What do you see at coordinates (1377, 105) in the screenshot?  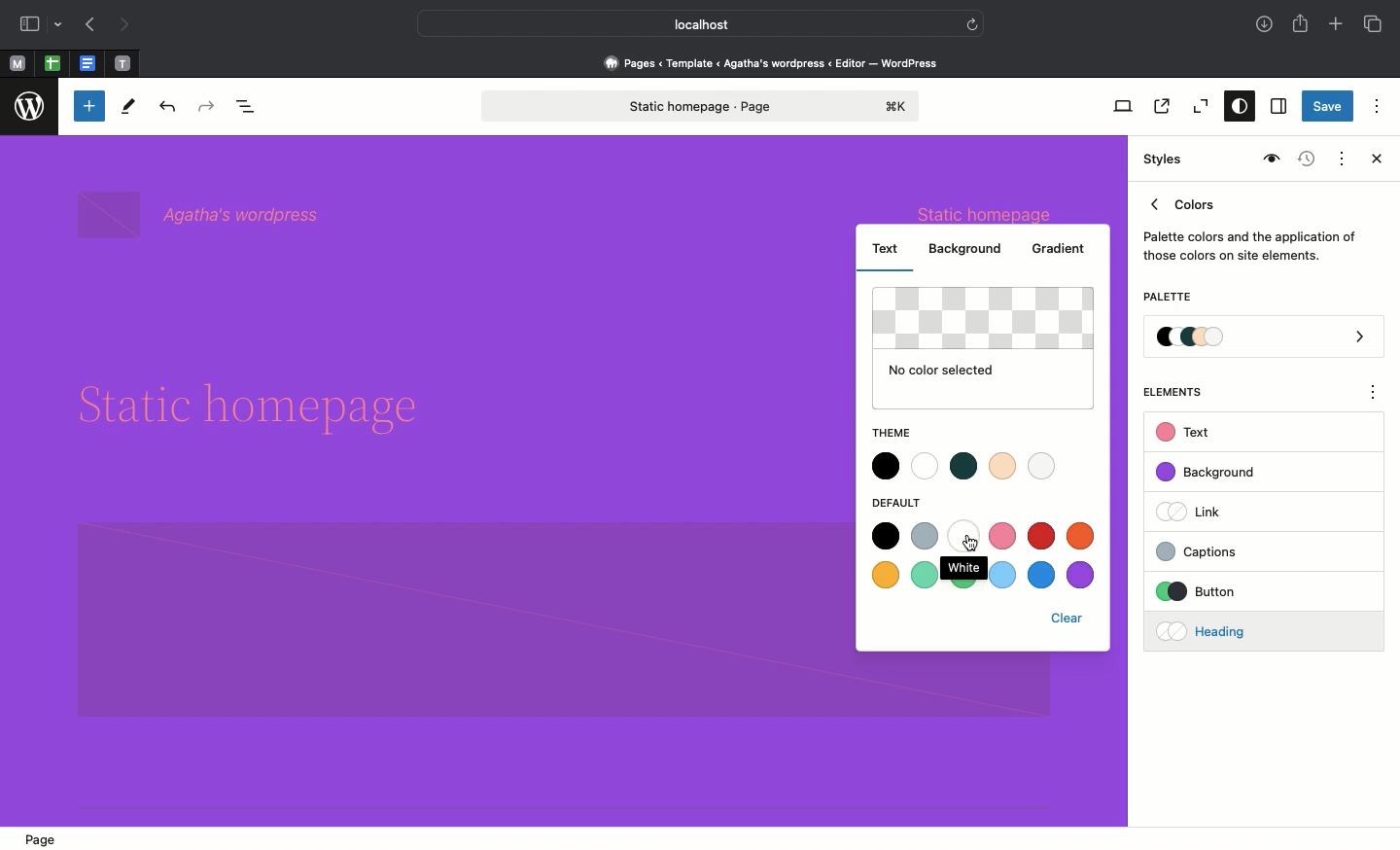 I see `Options` at bounding box center [1377, 105].